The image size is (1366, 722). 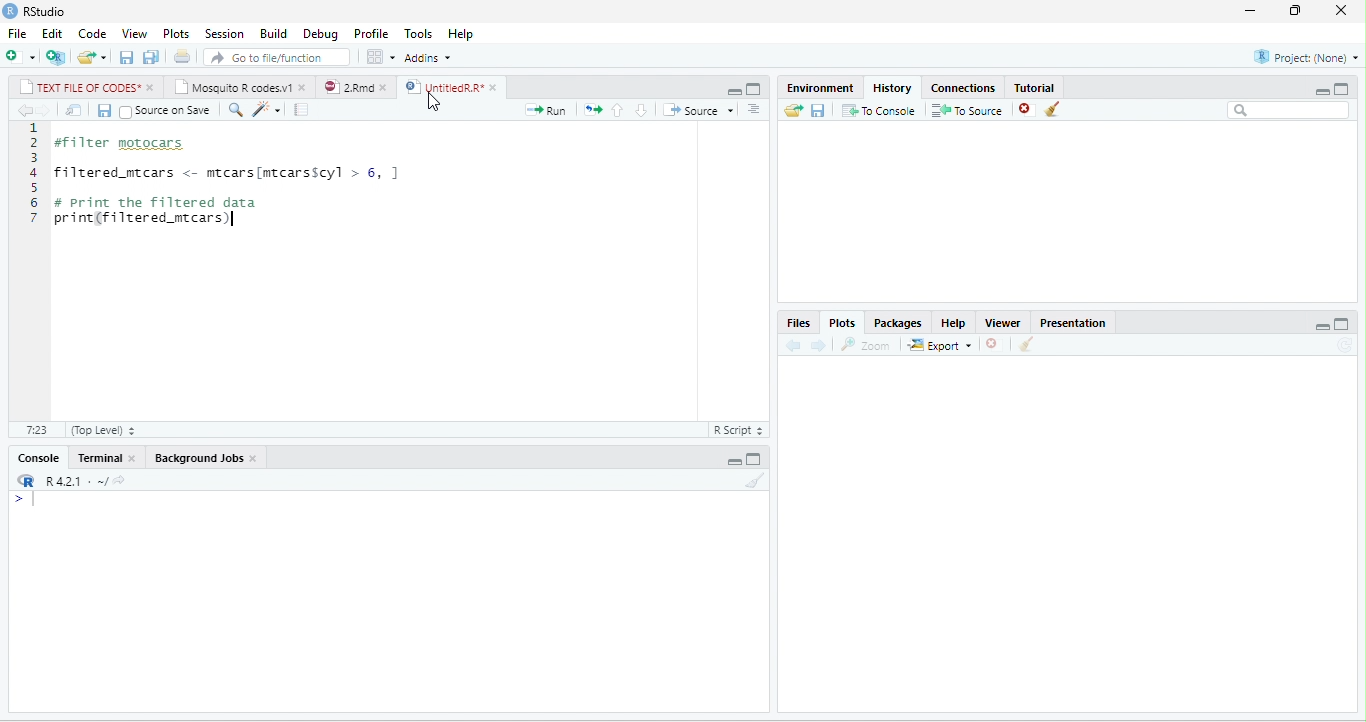 I want to click on back, so click(x=26, y=110).